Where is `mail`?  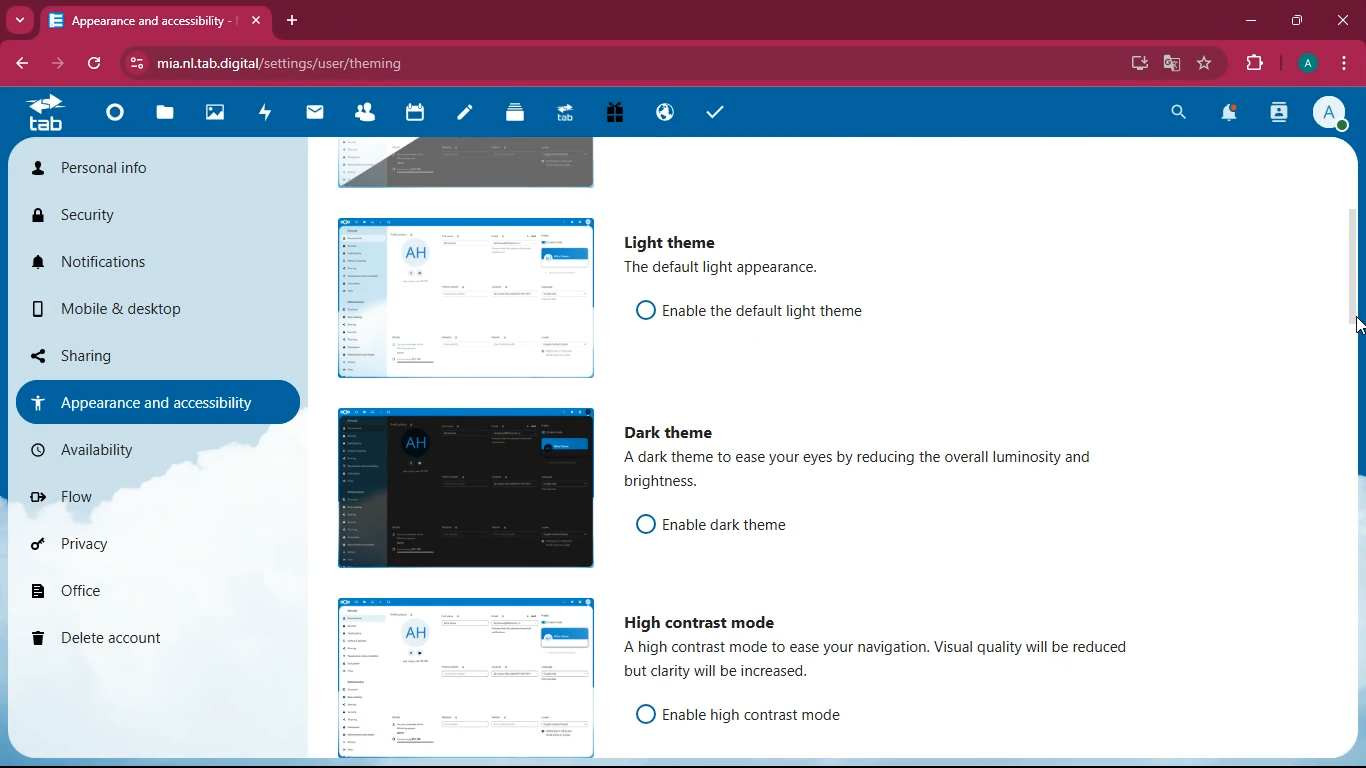 mail is located at coordinates (316, 115).